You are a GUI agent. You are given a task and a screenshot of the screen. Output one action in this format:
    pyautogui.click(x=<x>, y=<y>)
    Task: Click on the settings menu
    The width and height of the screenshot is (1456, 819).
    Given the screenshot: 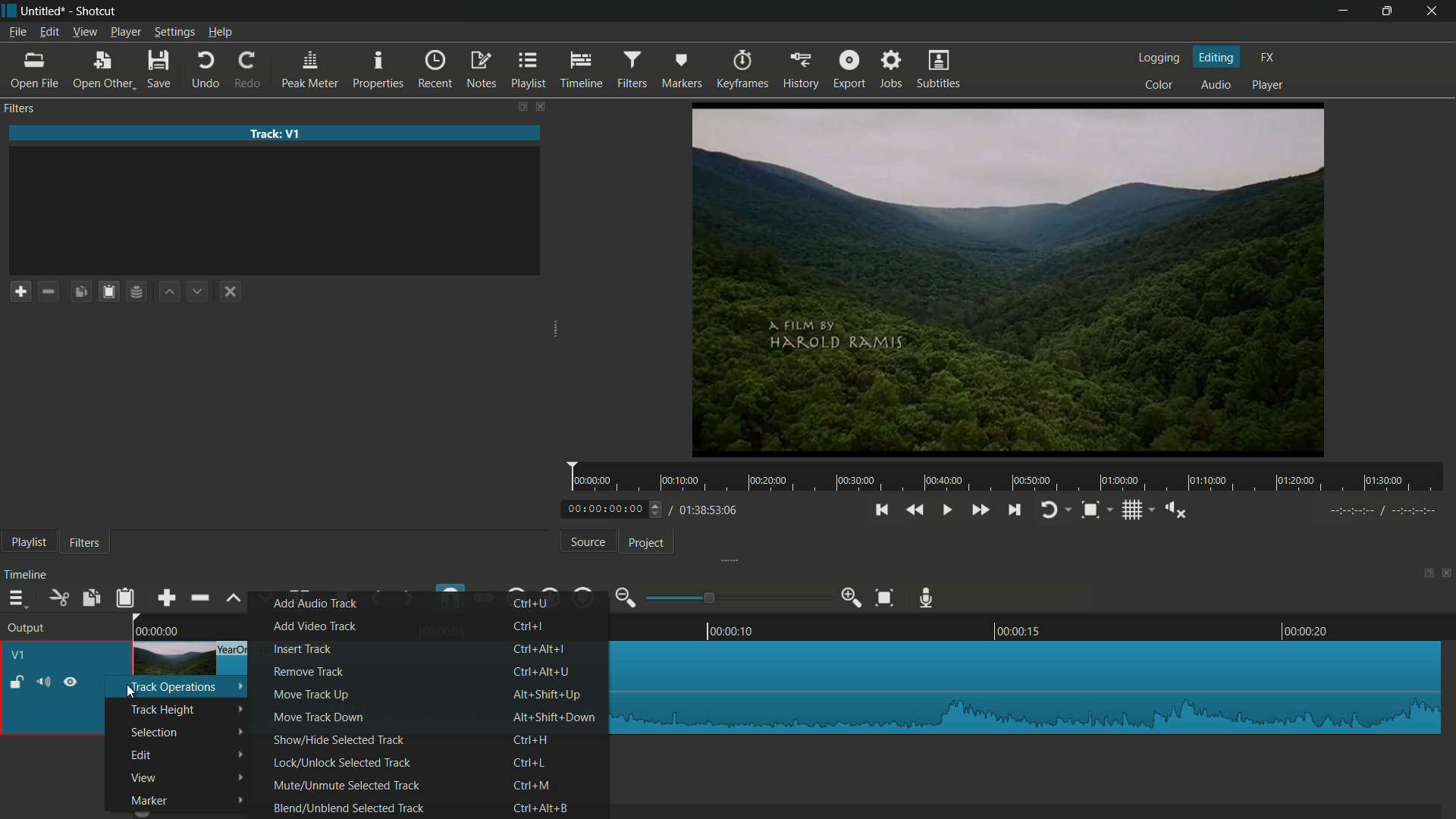 What is the action you would take?
    pyautogui.click(x=174, y=32)
    